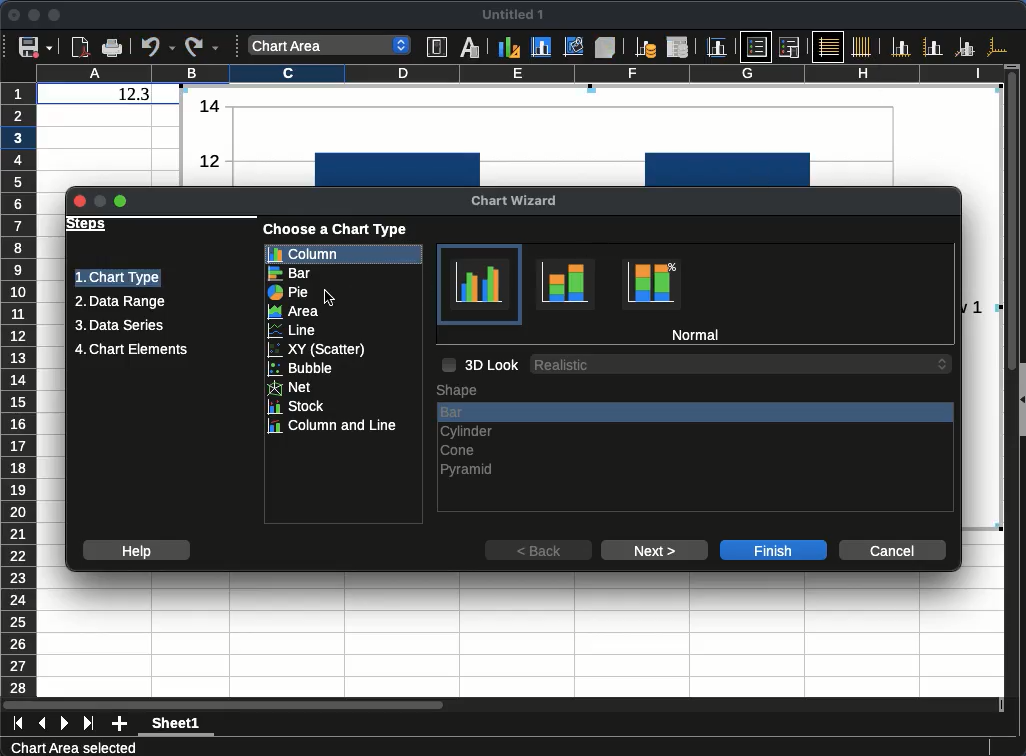  I want to click on Horizontal grids, current selection, so click(828, 46).